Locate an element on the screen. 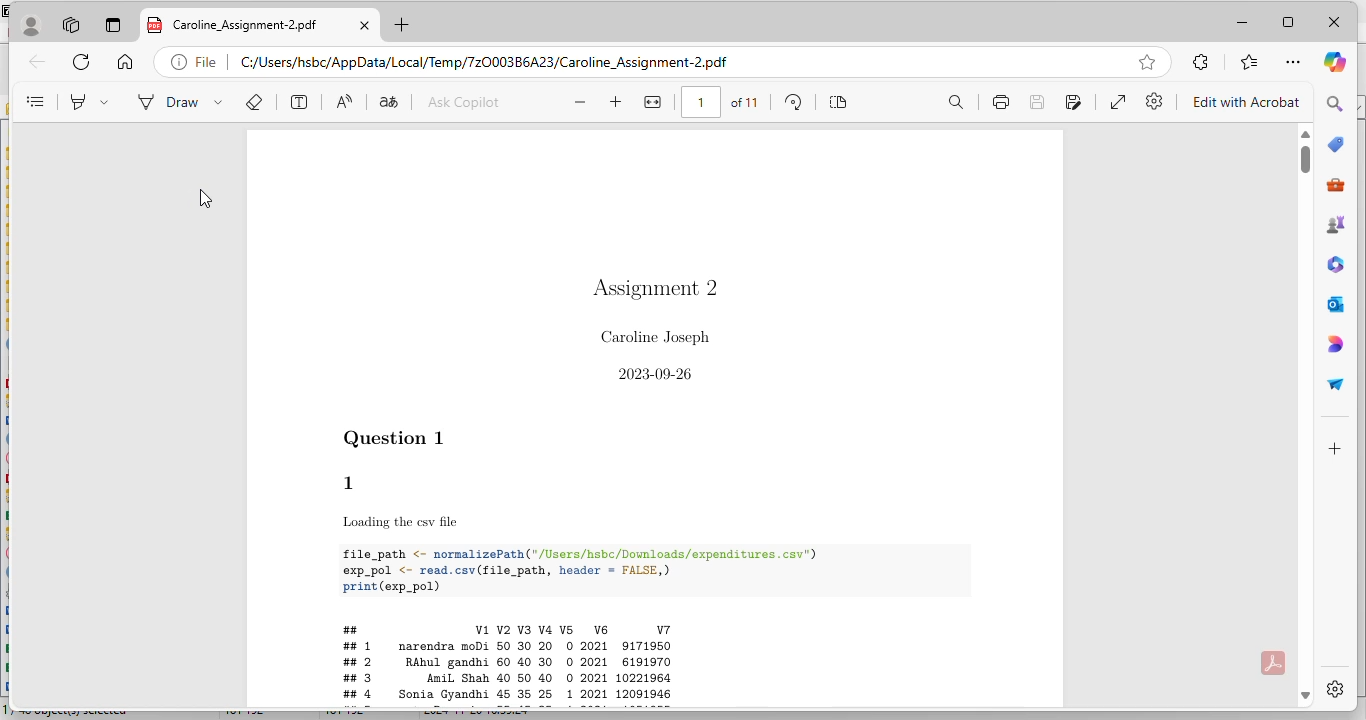 This screenshot has height=720, width=1366. microsoft shopping is located at coordinates (1337, 143).